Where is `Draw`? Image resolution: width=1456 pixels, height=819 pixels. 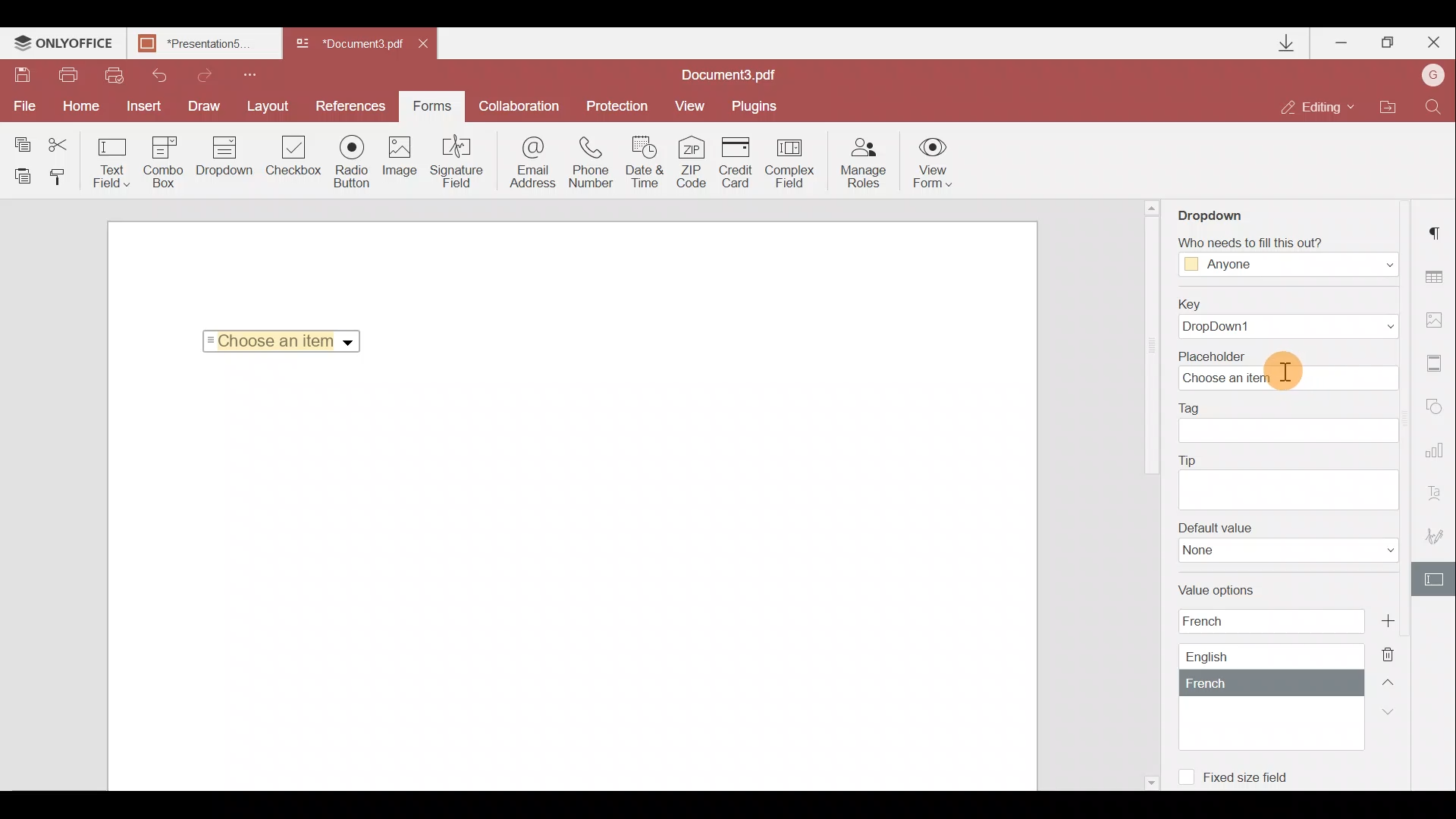 Draw is located at coordinates (205, 105).